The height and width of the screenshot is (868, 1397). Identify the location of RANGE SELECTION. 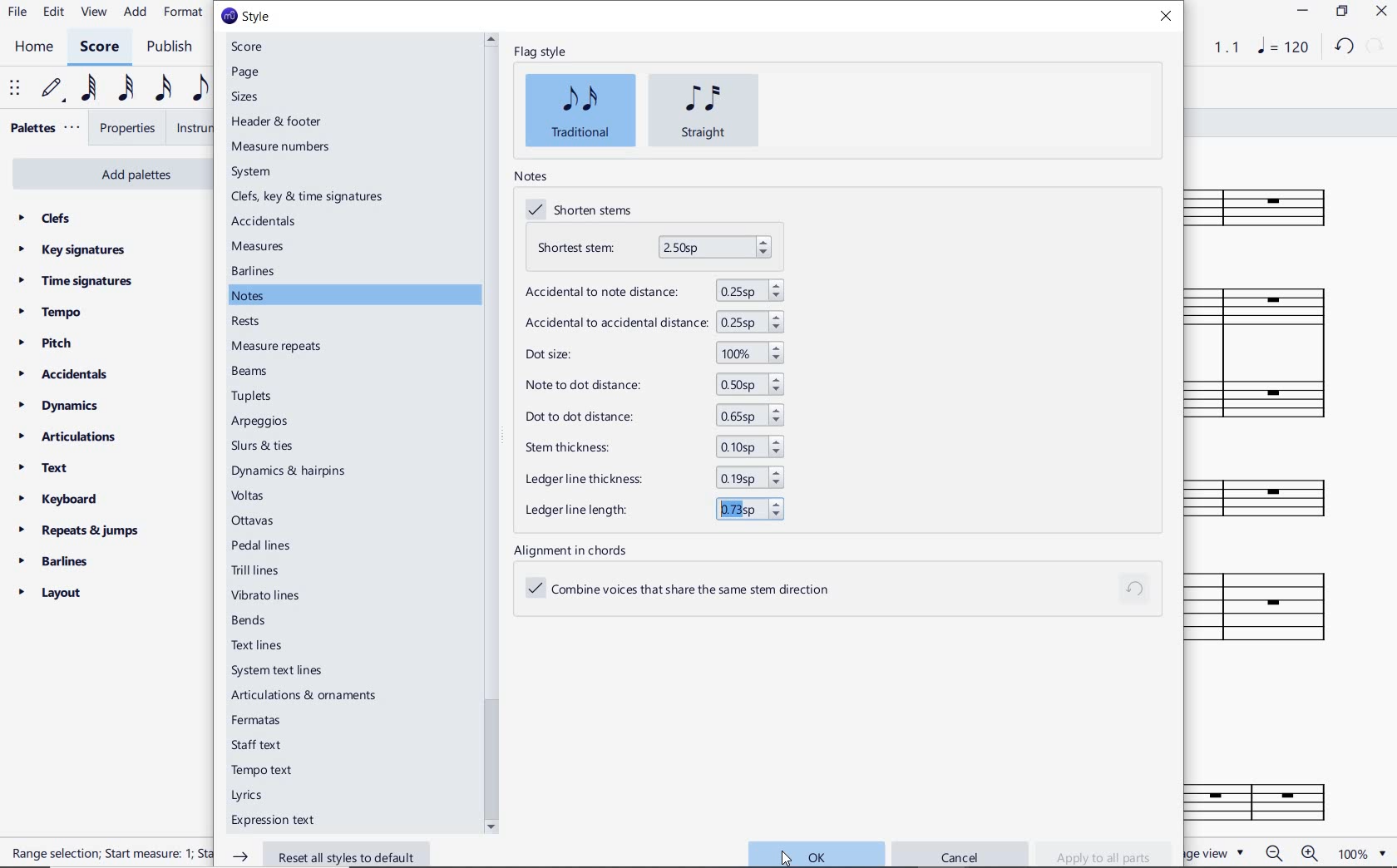
(106, 855).